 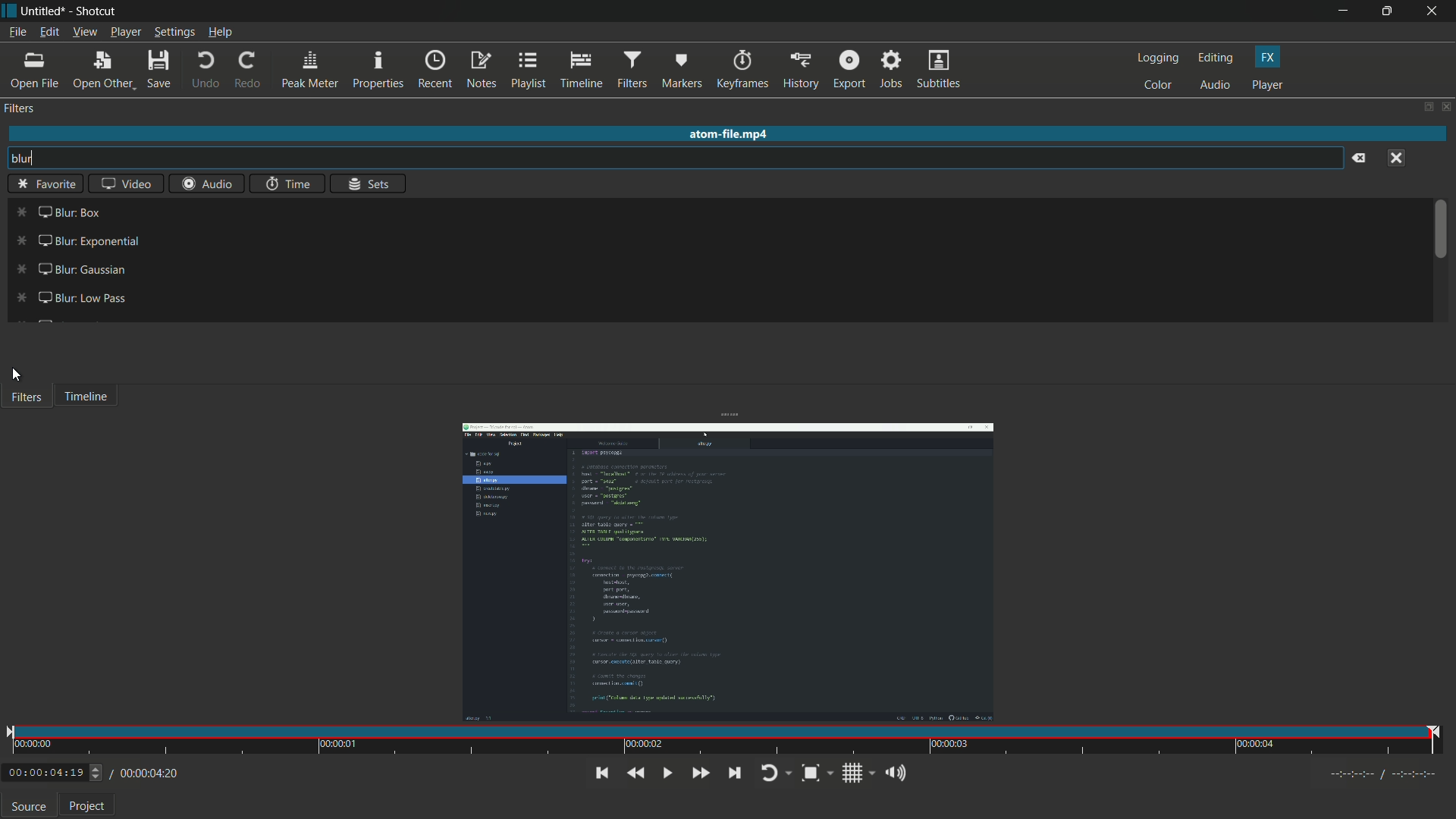 What do you see at coordinates (1445, 108) in the screenshot?
I see `close` at bounding box center [1445, 108].